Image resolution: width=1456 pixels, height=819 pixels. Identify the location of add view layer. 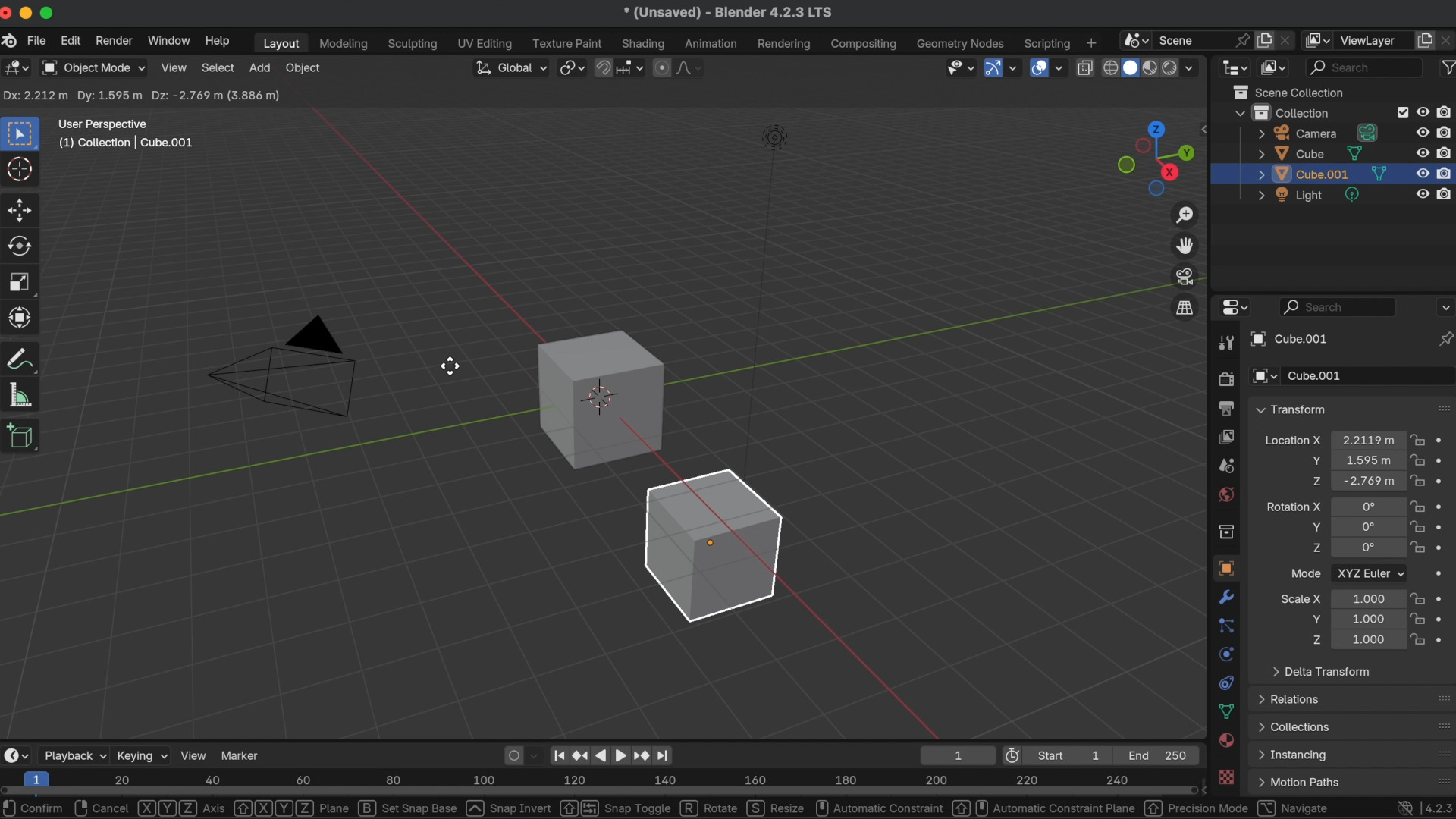
(1425, 39).